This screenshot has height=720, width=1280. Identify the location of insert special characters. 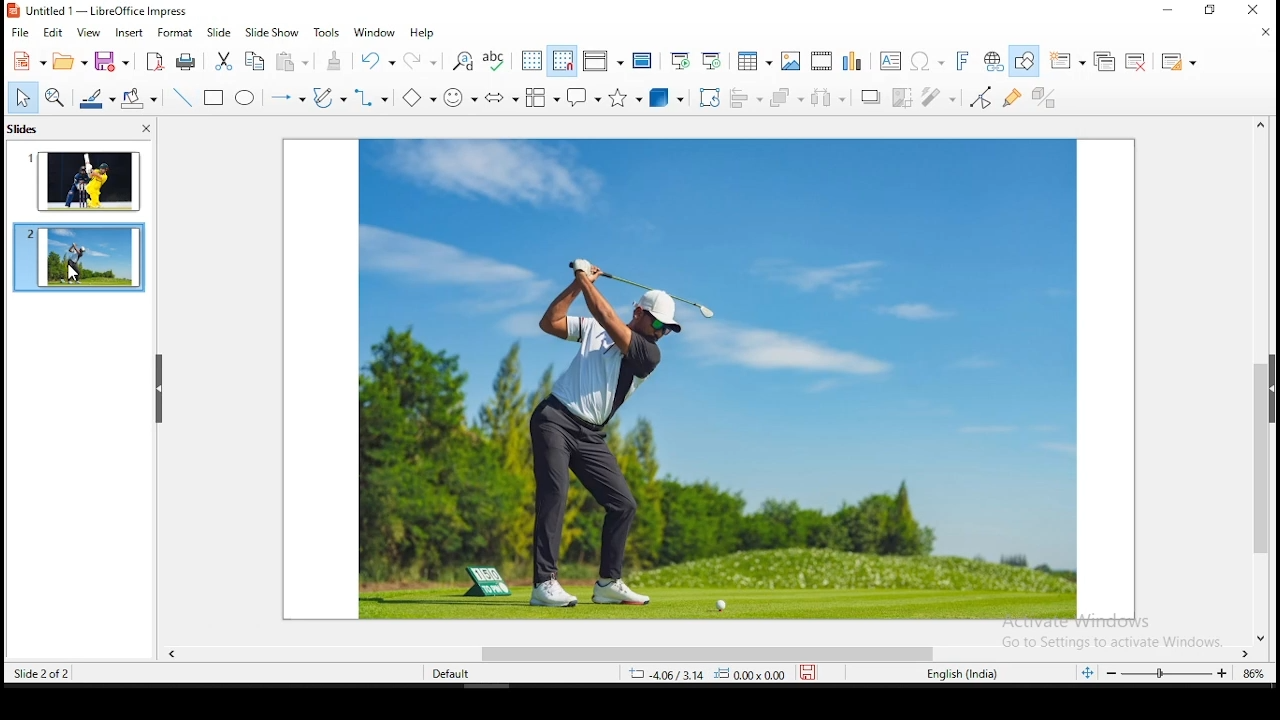
(924, 60).